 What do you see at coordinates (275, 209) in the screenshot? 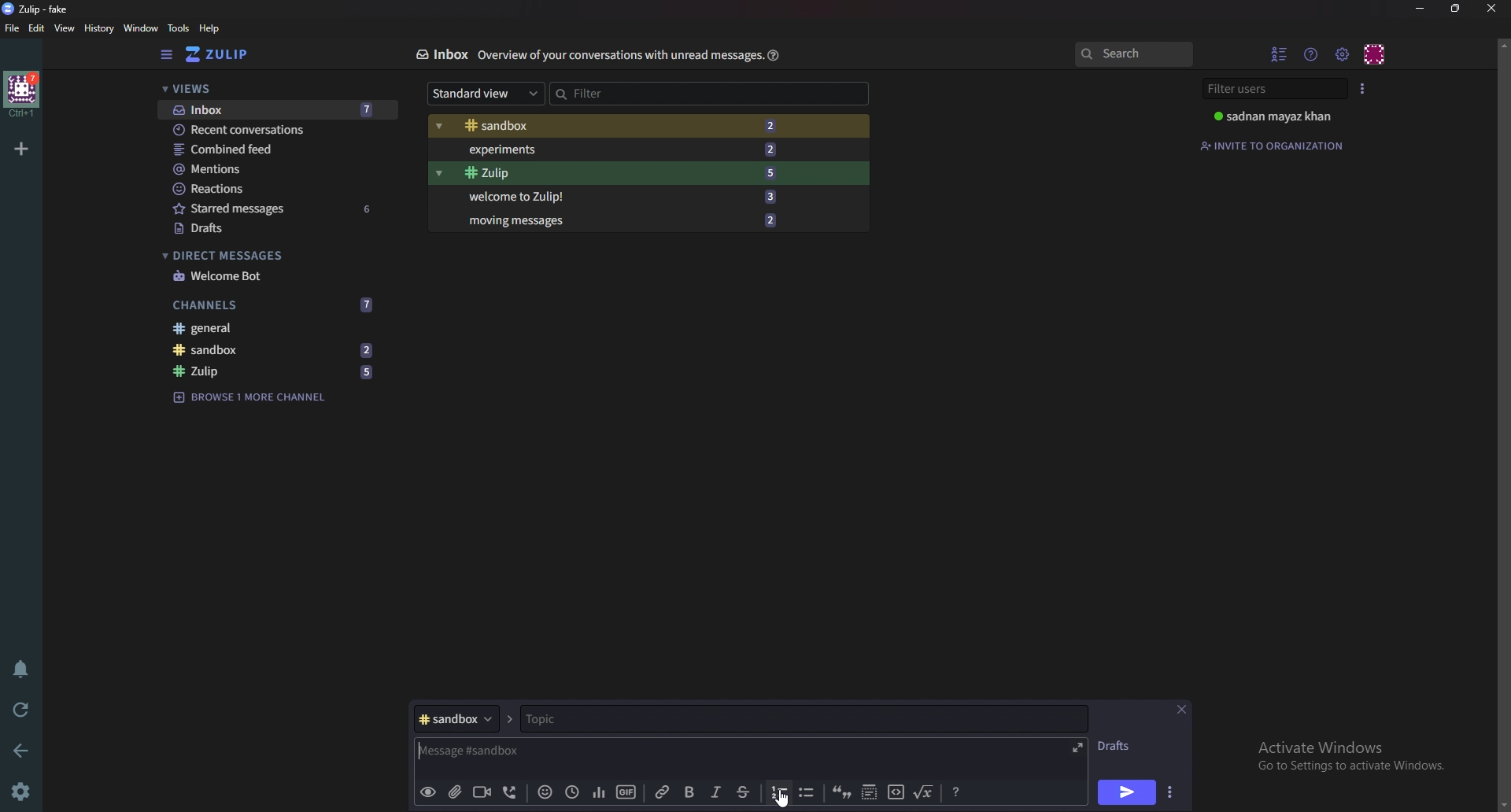
I see `Starred messages` at bounding box center [275, 209].